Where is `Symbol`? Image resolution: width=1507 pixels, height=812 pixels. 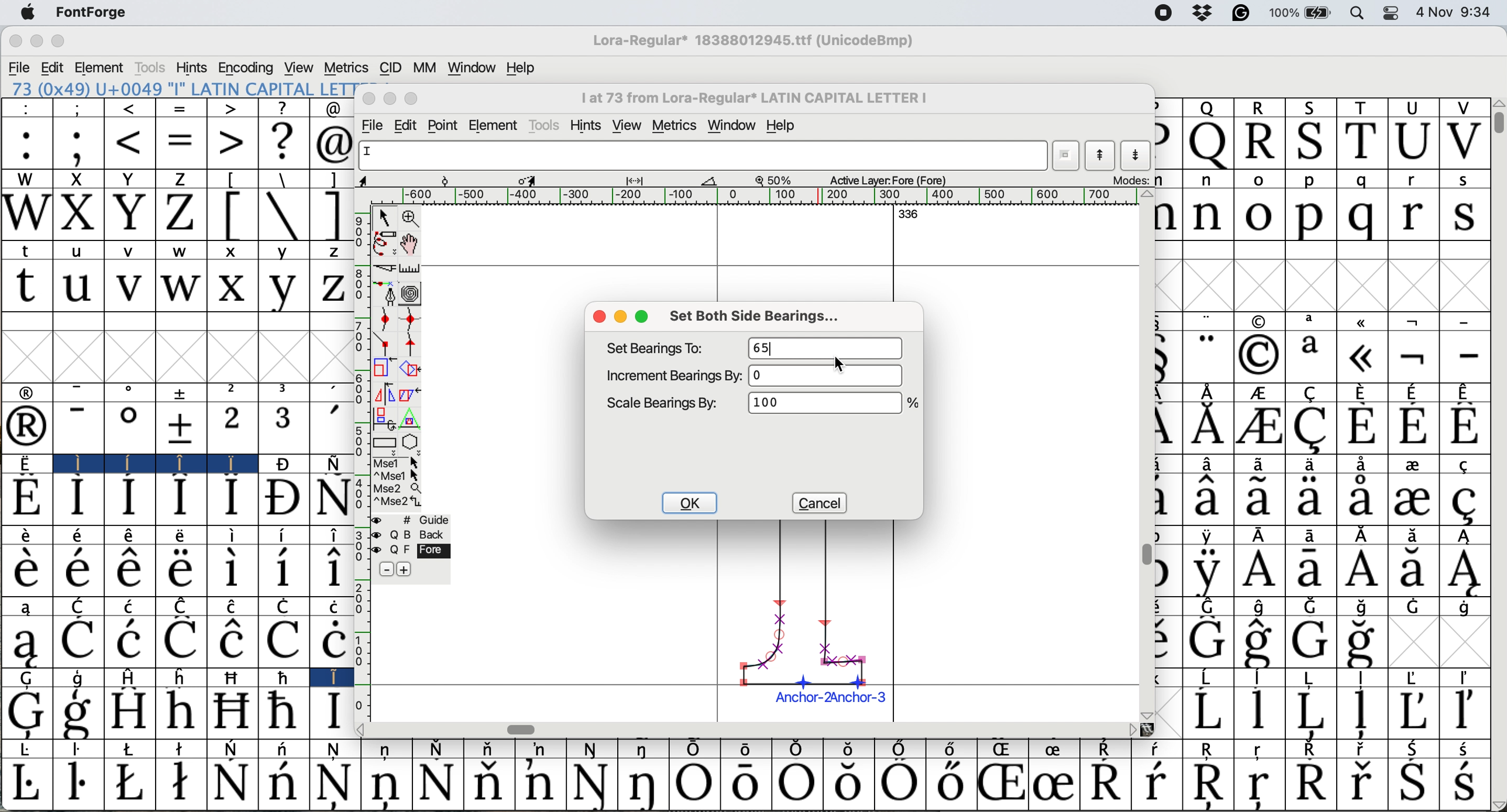
Symbol is located at coordinates (285, 748).